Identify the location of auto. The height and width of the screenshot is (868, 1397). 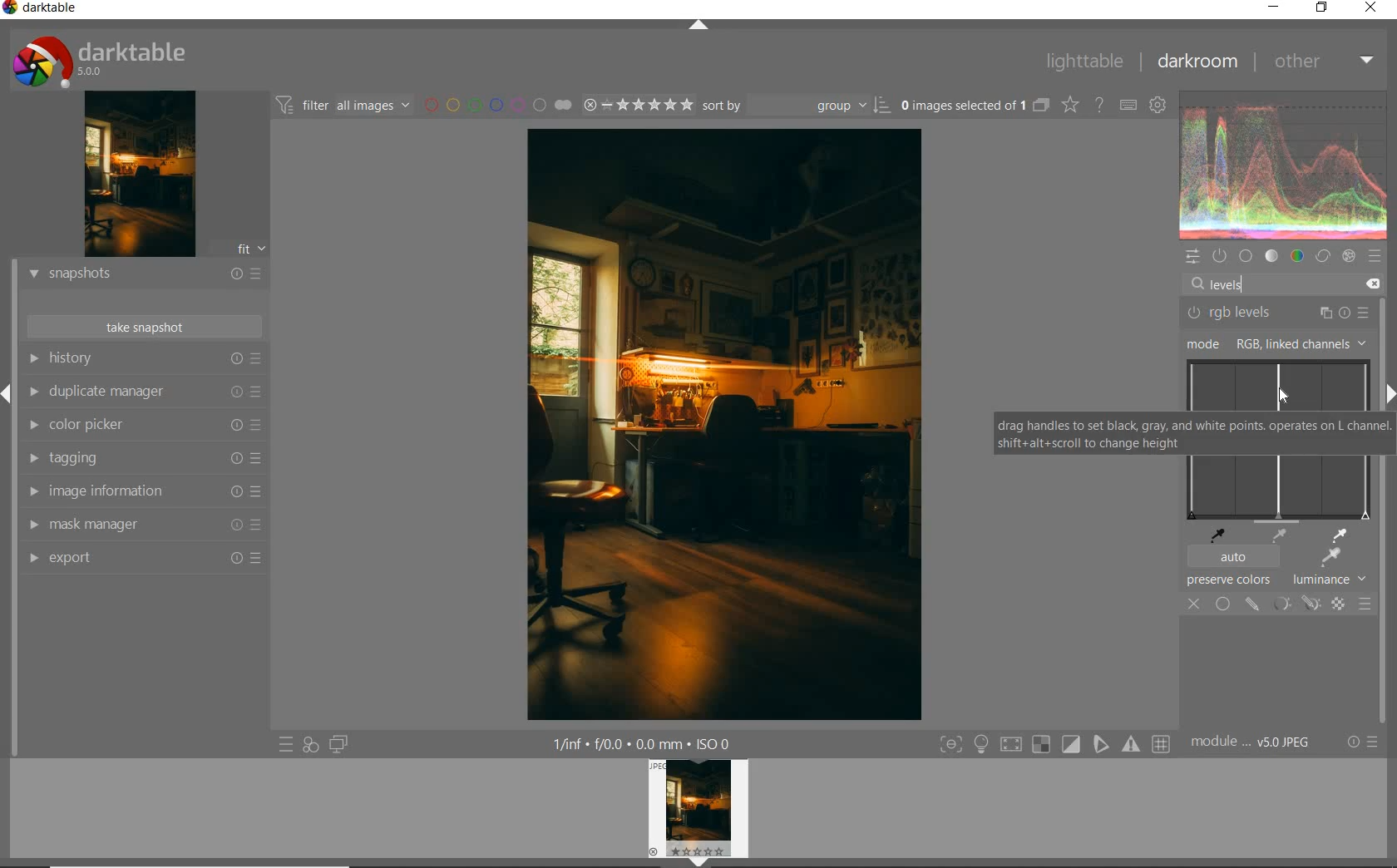
(1232, 558).